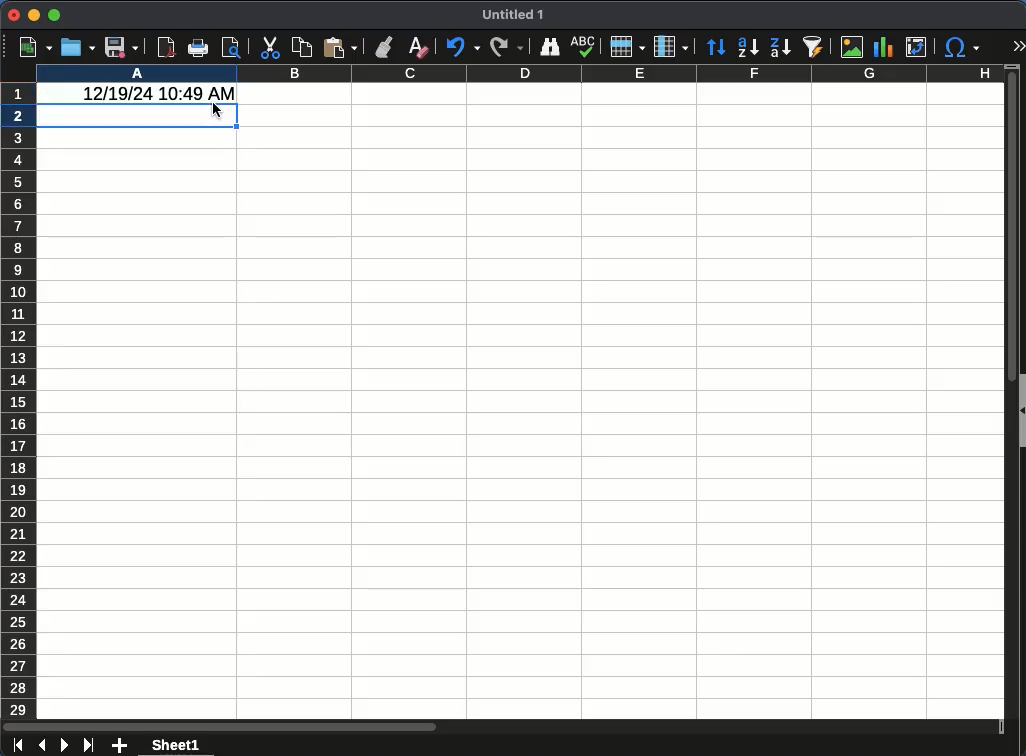 The image size is (1026, 756). Describe the element at coordinates (216, 111) in the screenshot. I see `cursor` at that location.